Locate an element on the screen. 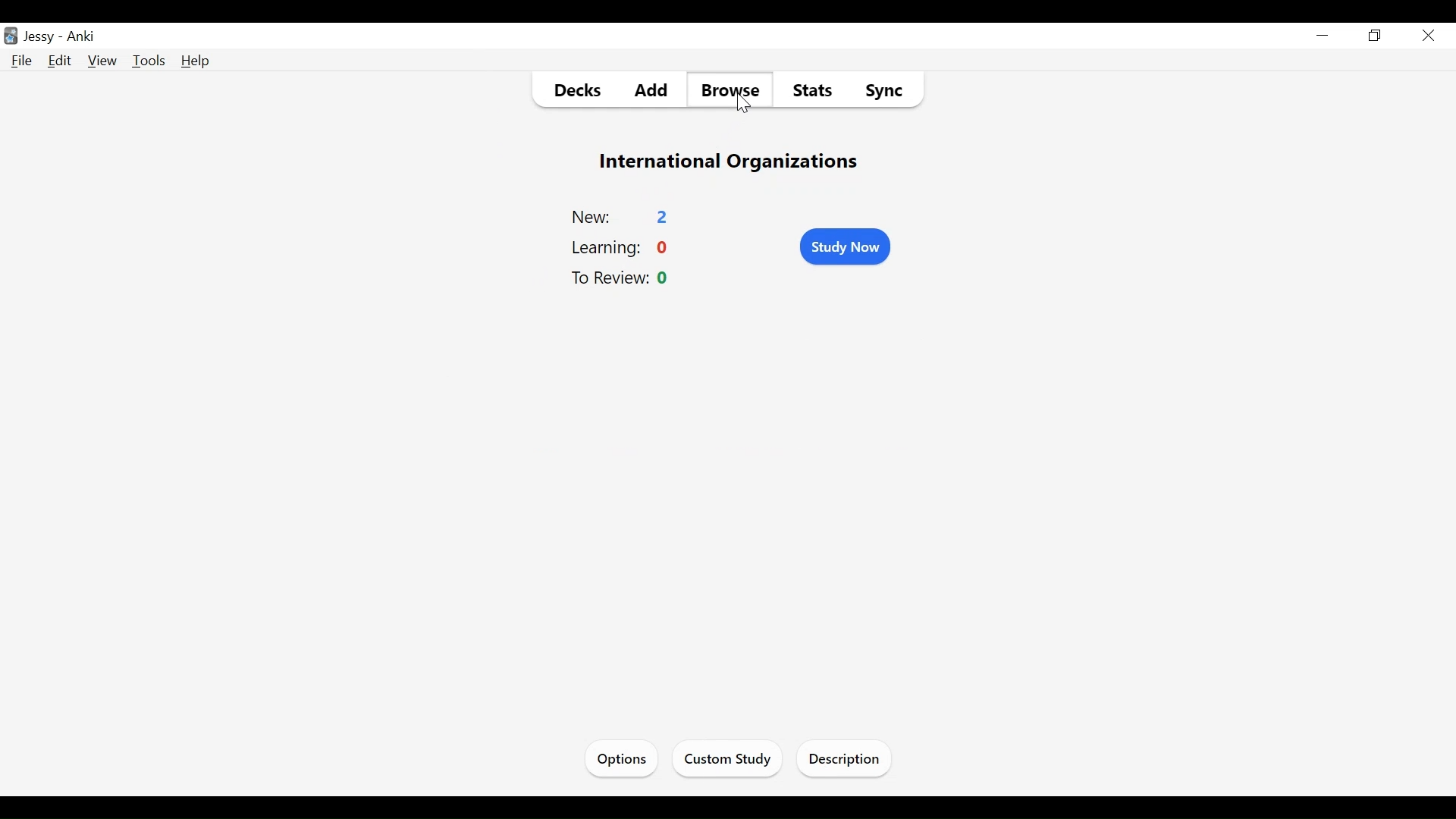 The height and width of the screenshot is (819, 1456). To Review Card Count is located at coordinates (626, 279).